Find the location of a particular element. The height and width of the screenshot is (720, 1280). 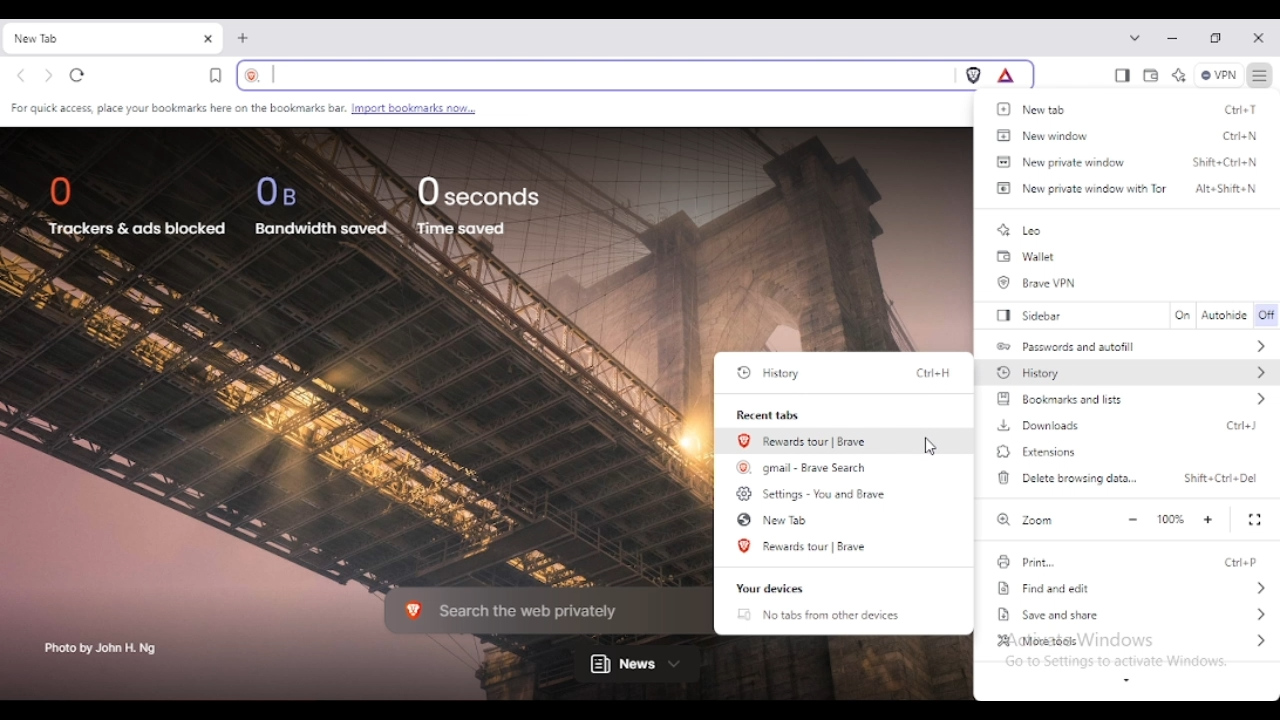

rewards tour | Brave is located at coordinates (805, 546).